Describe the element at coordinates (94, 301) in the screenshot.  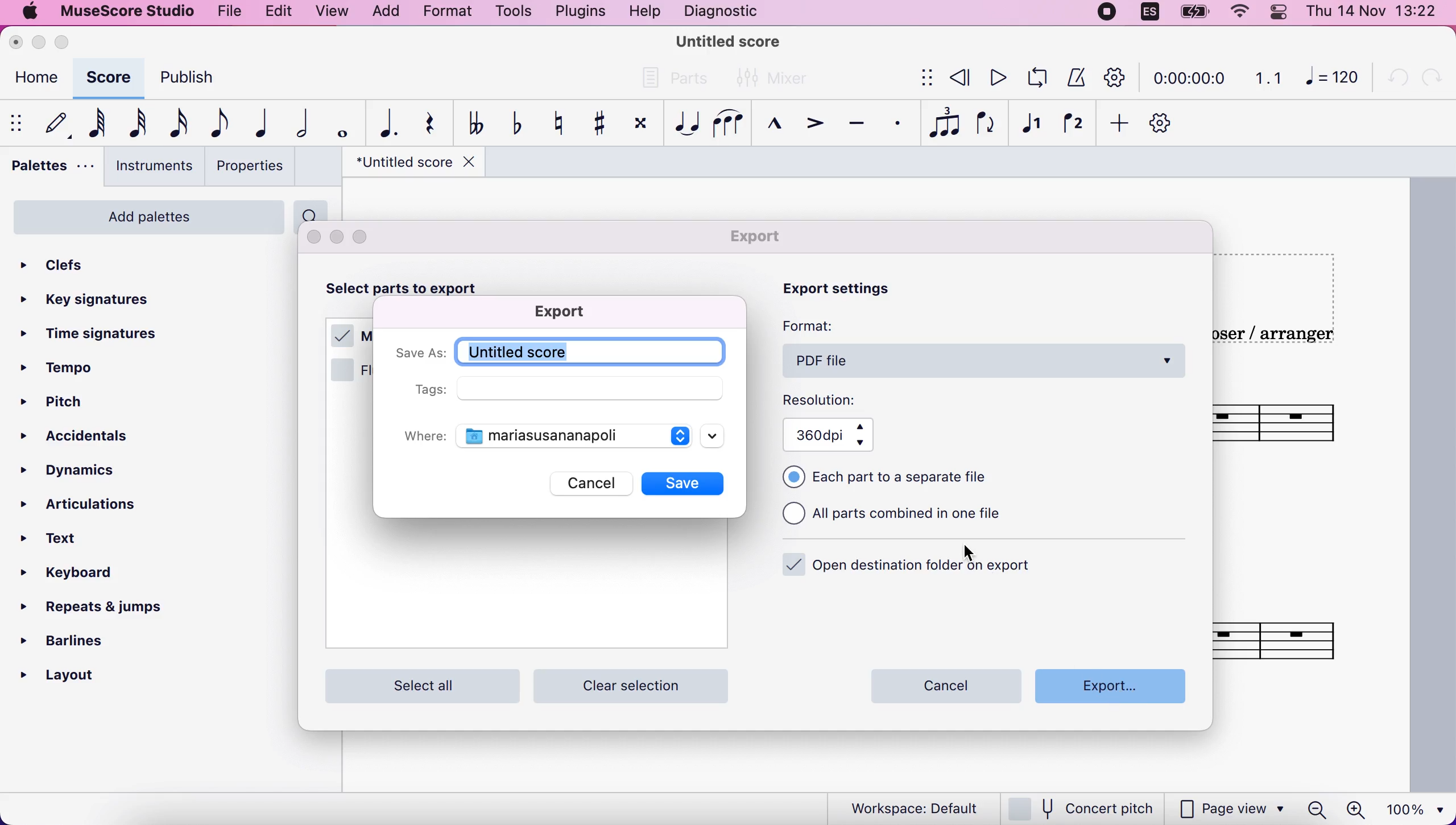
I see `key signatures` at that location.